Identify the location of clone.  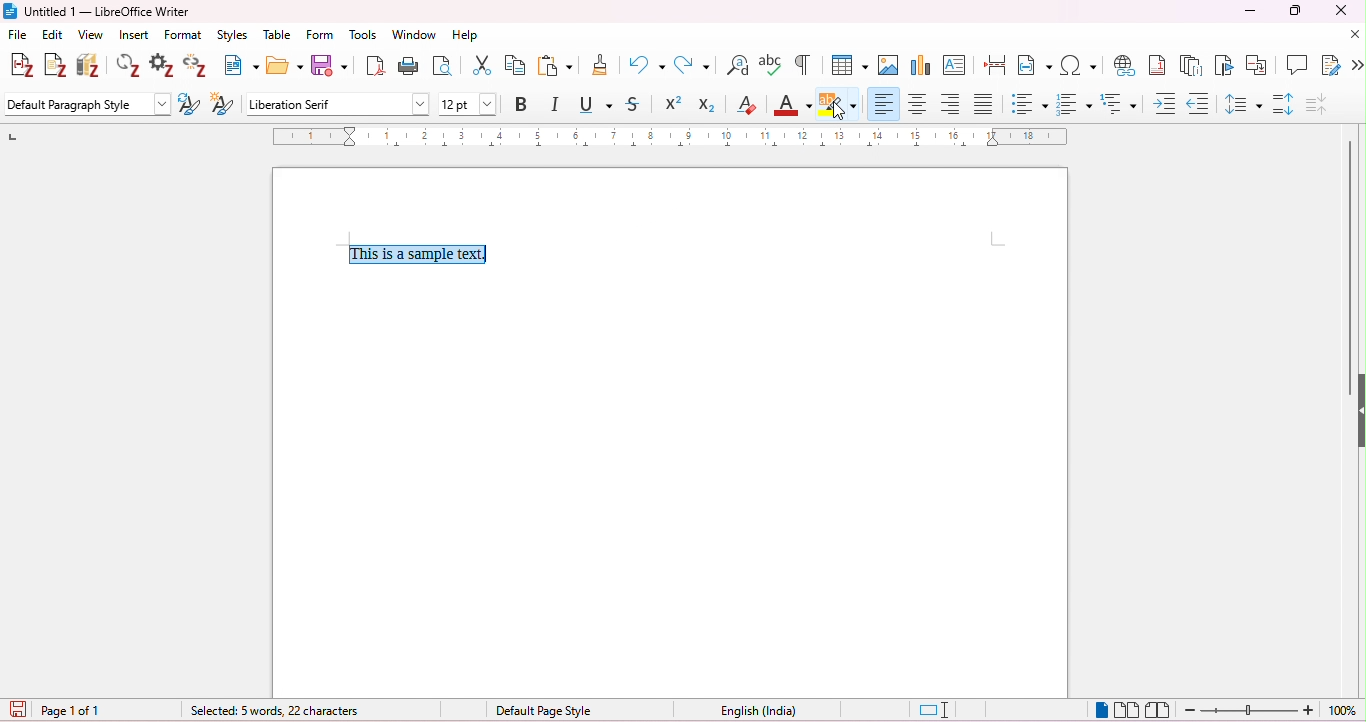
(602, 64).